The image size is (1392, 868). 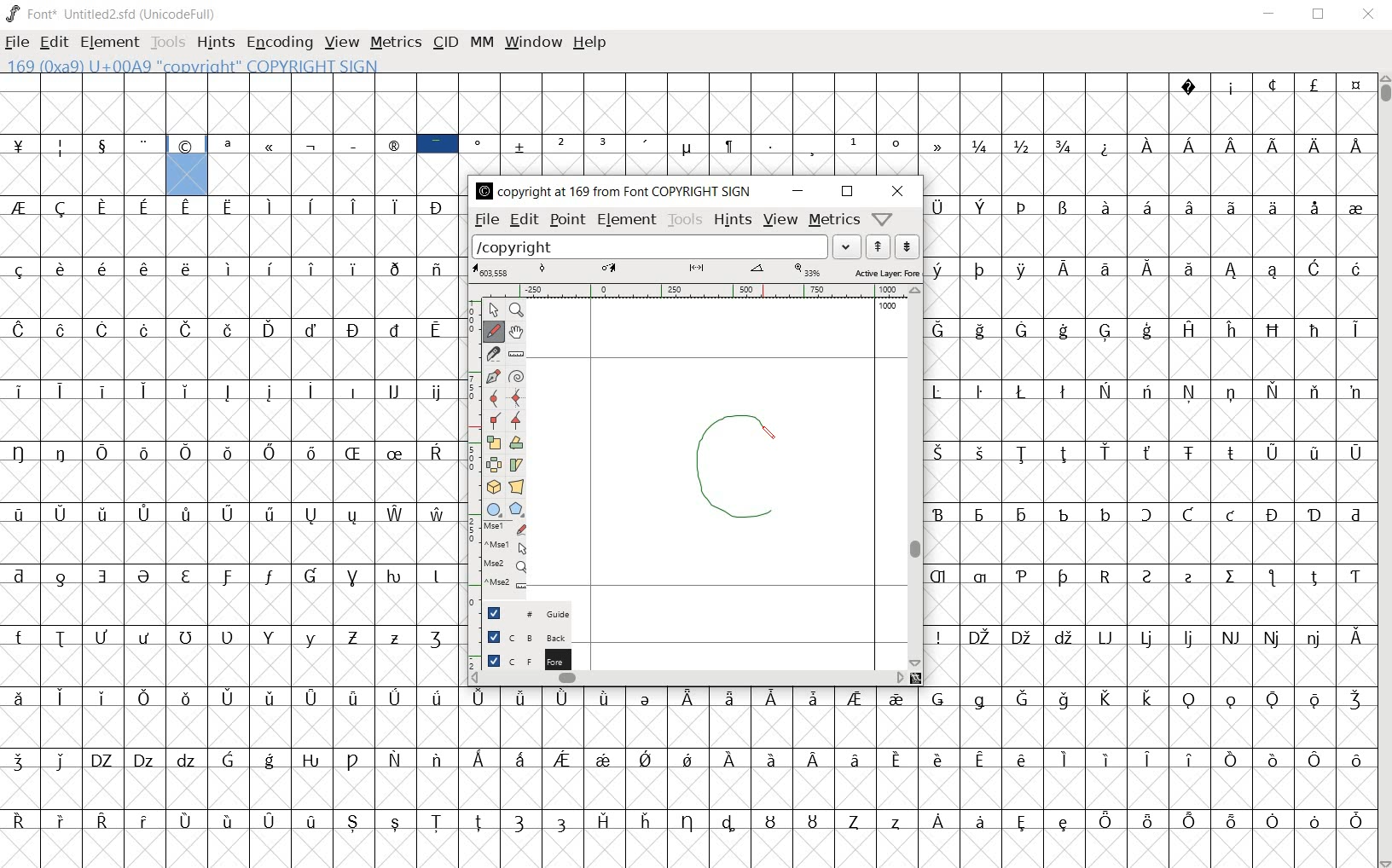 What do you see at coordinates (906, 246) in the screenshot?
I see `show the previous word on the list` at bounding box center [906, 246].